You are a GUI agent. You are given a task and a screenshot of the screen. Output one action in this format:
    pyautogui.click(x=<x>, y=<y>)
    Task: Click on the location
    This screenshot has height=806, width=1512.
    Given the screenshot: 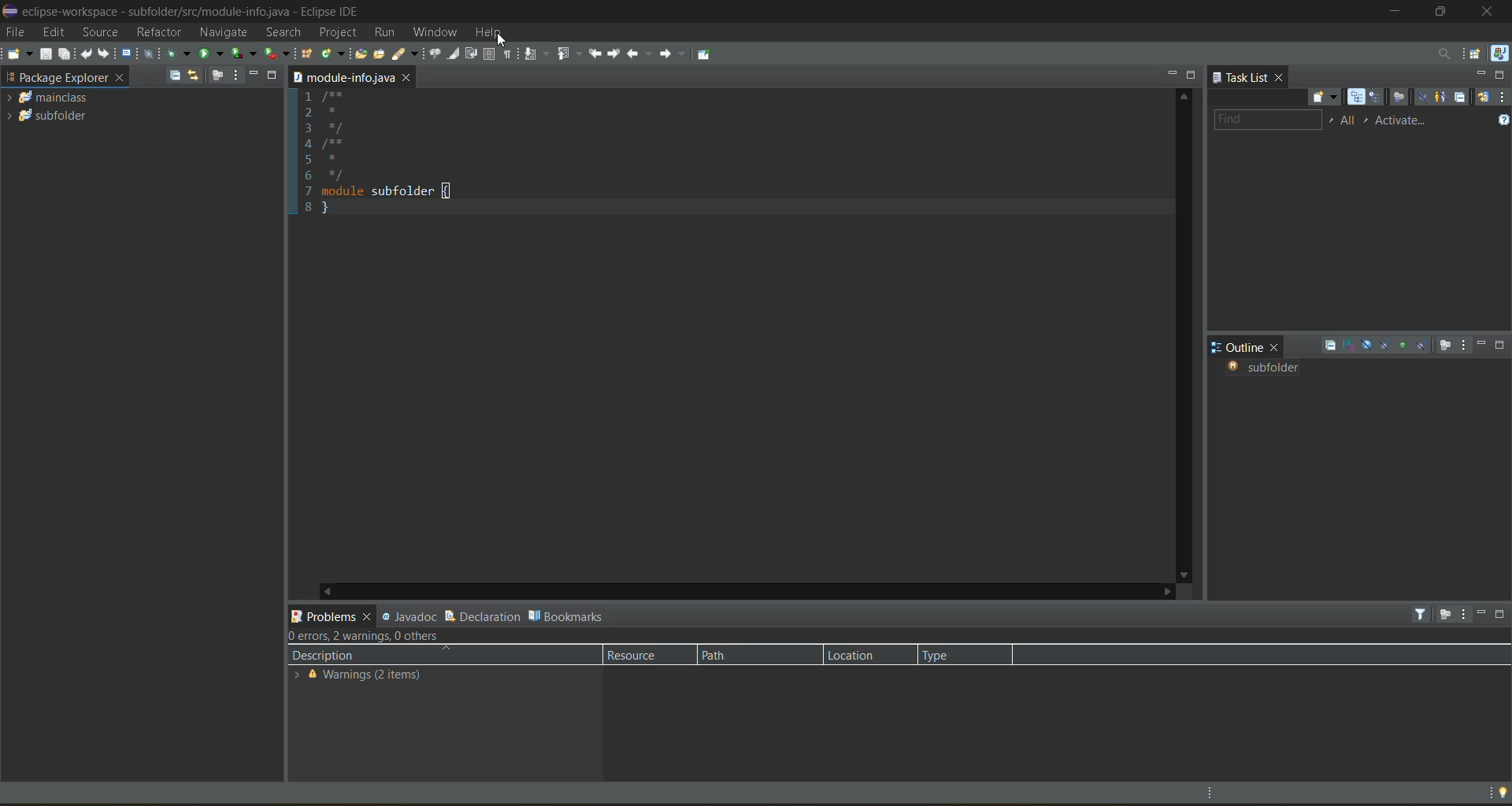 What is the action you would take?
    pyautogui.click(x=860, y=655)
    